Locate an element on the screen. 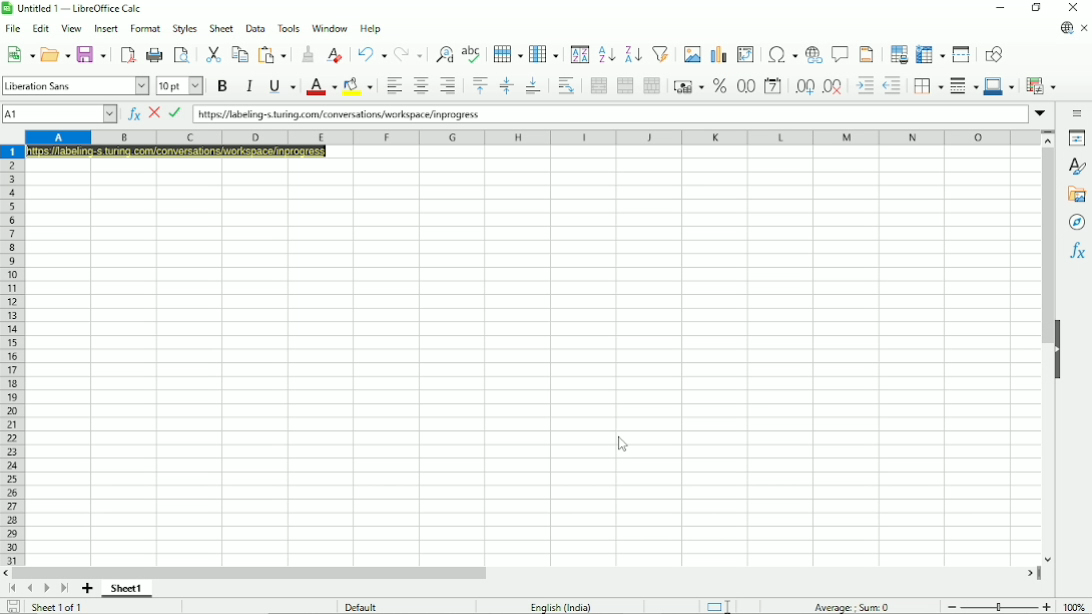 Image resolution: width=1092 pixels, height=614 pixels. Column headings is located at coordinates (533, 138).